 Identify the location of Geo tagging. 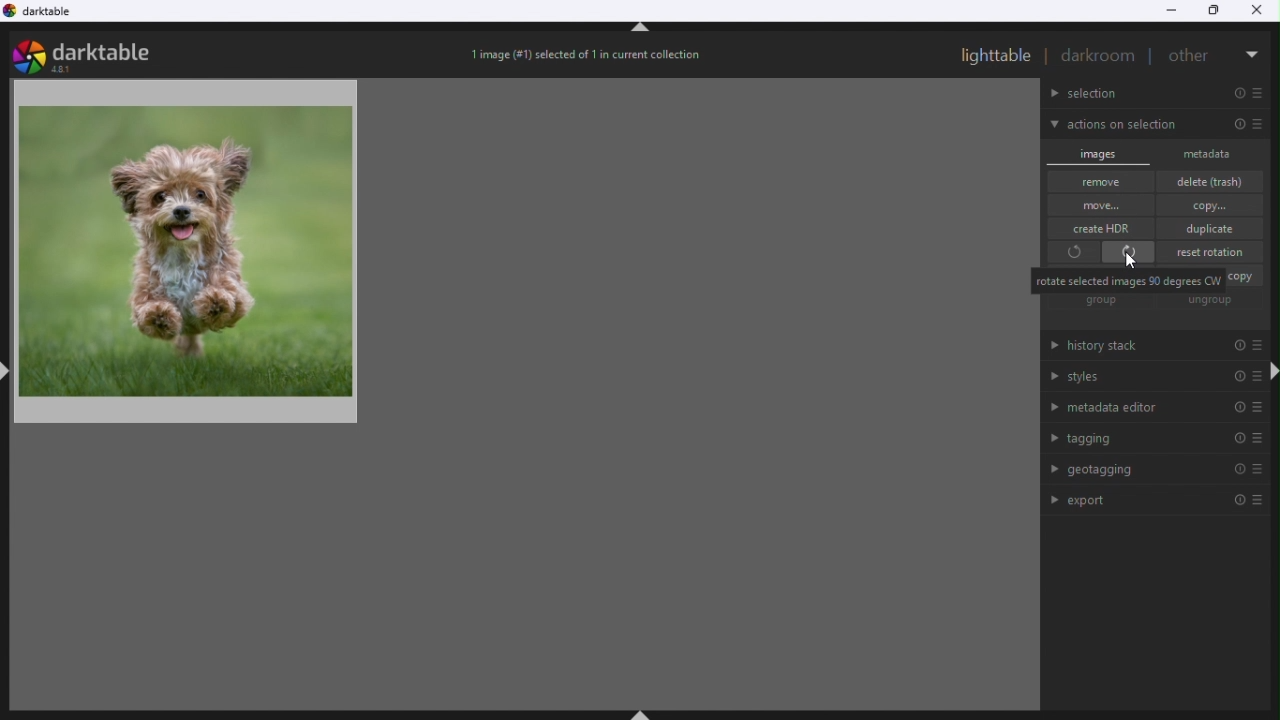
(1152, 471).